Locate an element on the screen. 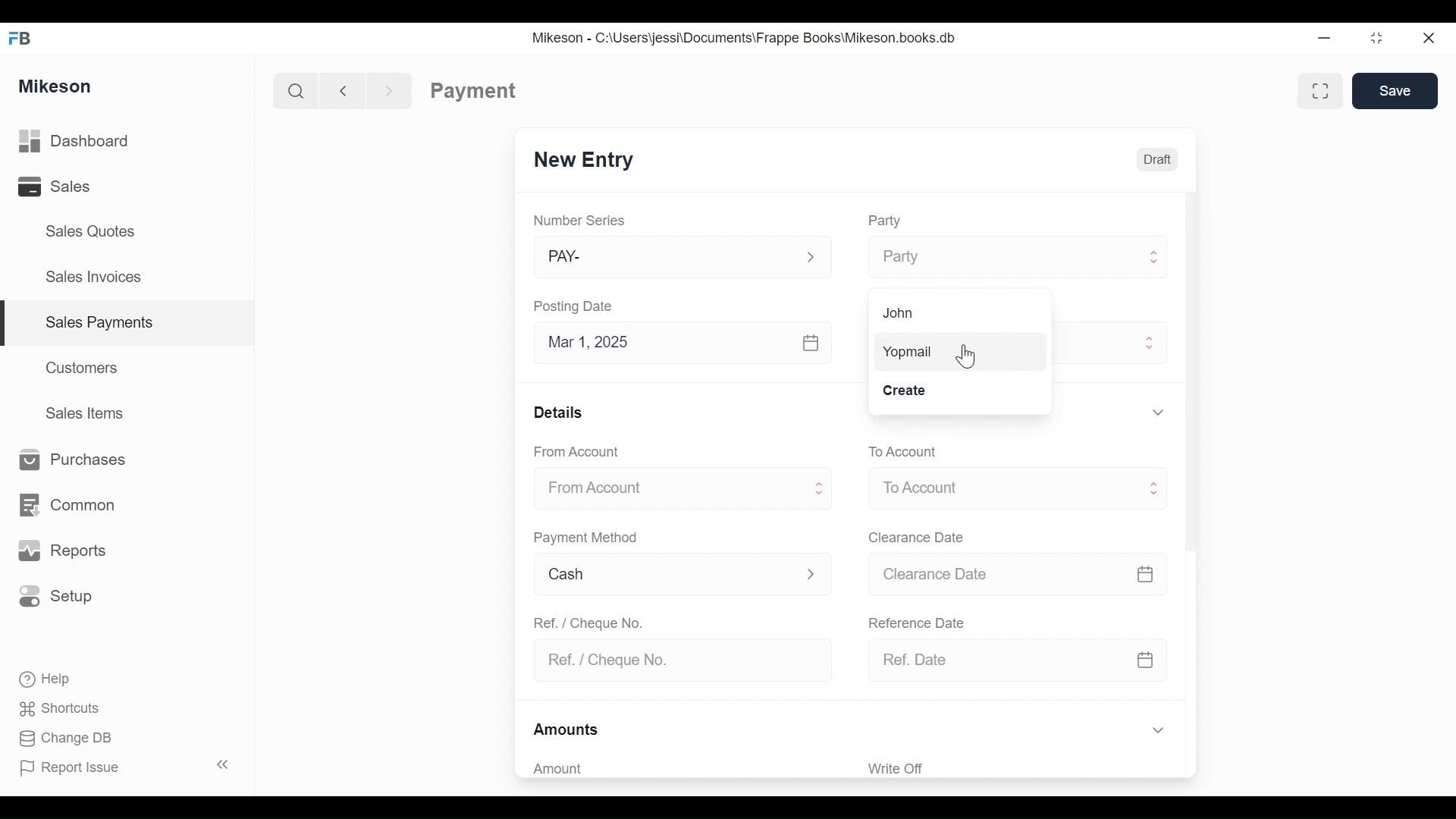  Draft is located at coordinates (1159, 159).